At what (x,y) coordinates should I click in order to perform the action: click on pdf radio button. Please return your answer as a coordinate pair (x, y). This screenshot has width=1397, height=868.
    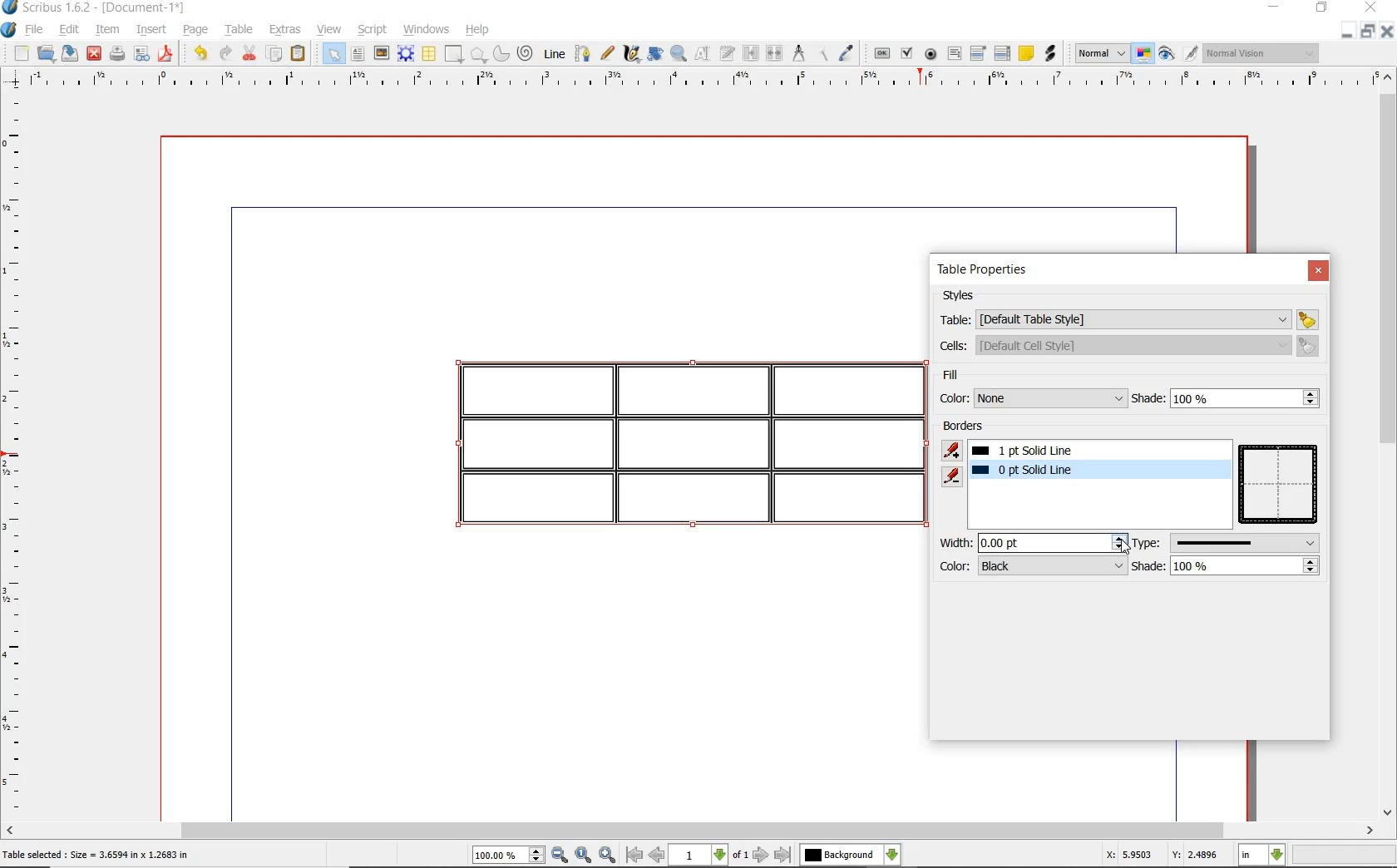
    Looking at the image, I should click on (931, 55).